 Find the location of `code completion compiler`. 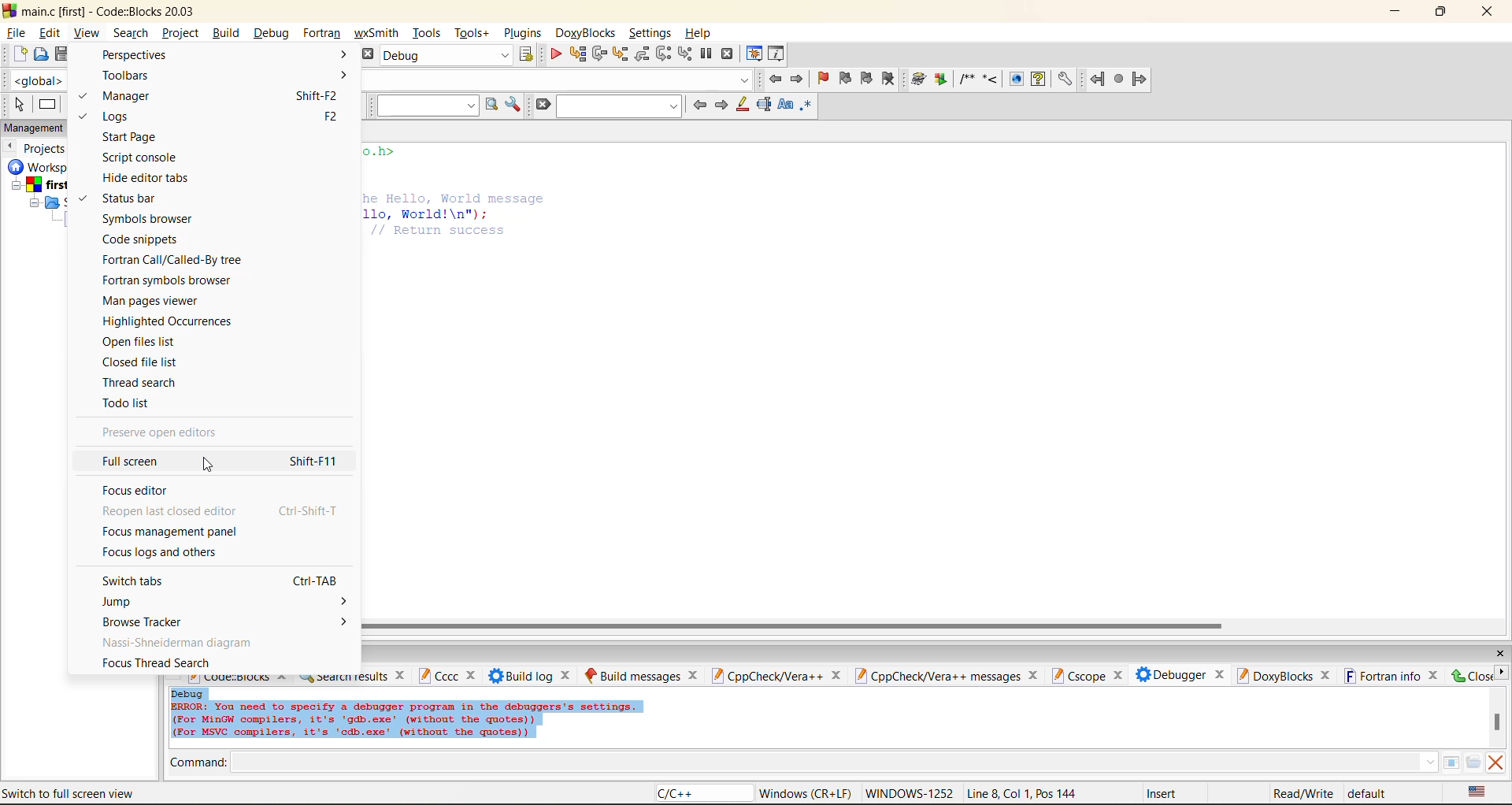

code completion compiler is located at coordinates (559, 79).